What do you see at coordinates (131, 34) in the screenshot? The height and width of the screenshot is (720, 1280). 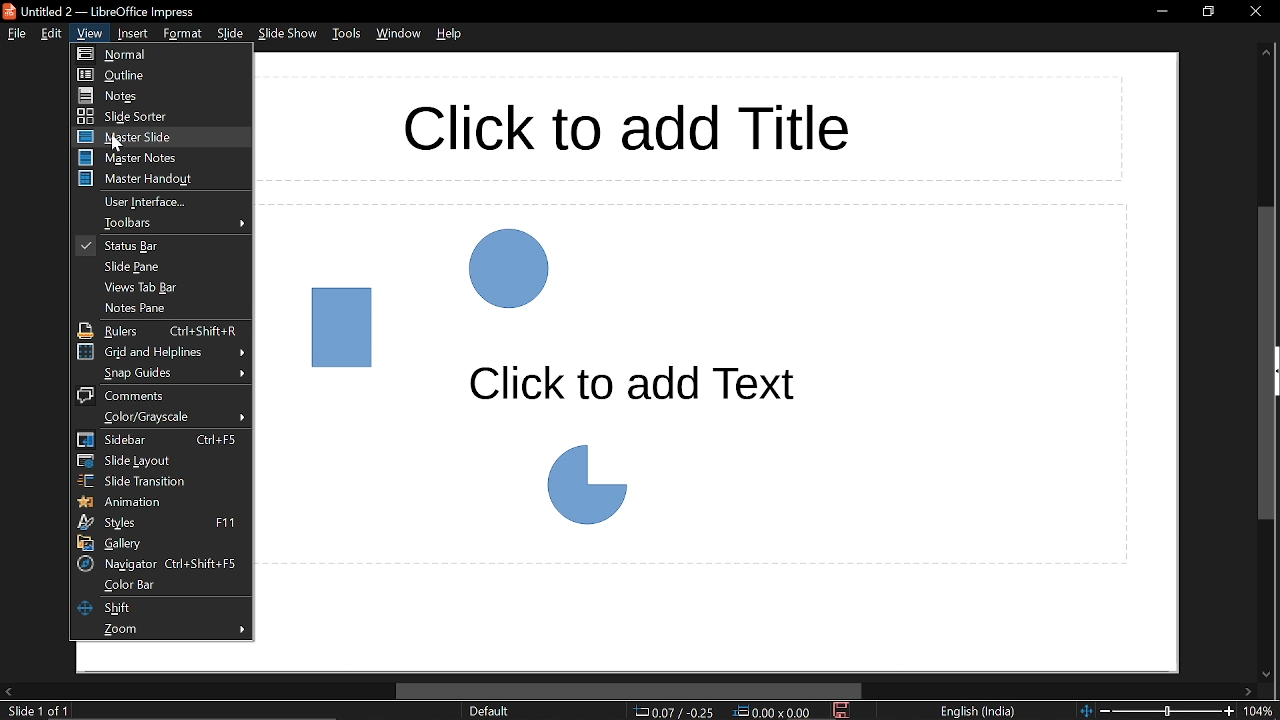 I see `Insert` at bounding box center [131, 34].